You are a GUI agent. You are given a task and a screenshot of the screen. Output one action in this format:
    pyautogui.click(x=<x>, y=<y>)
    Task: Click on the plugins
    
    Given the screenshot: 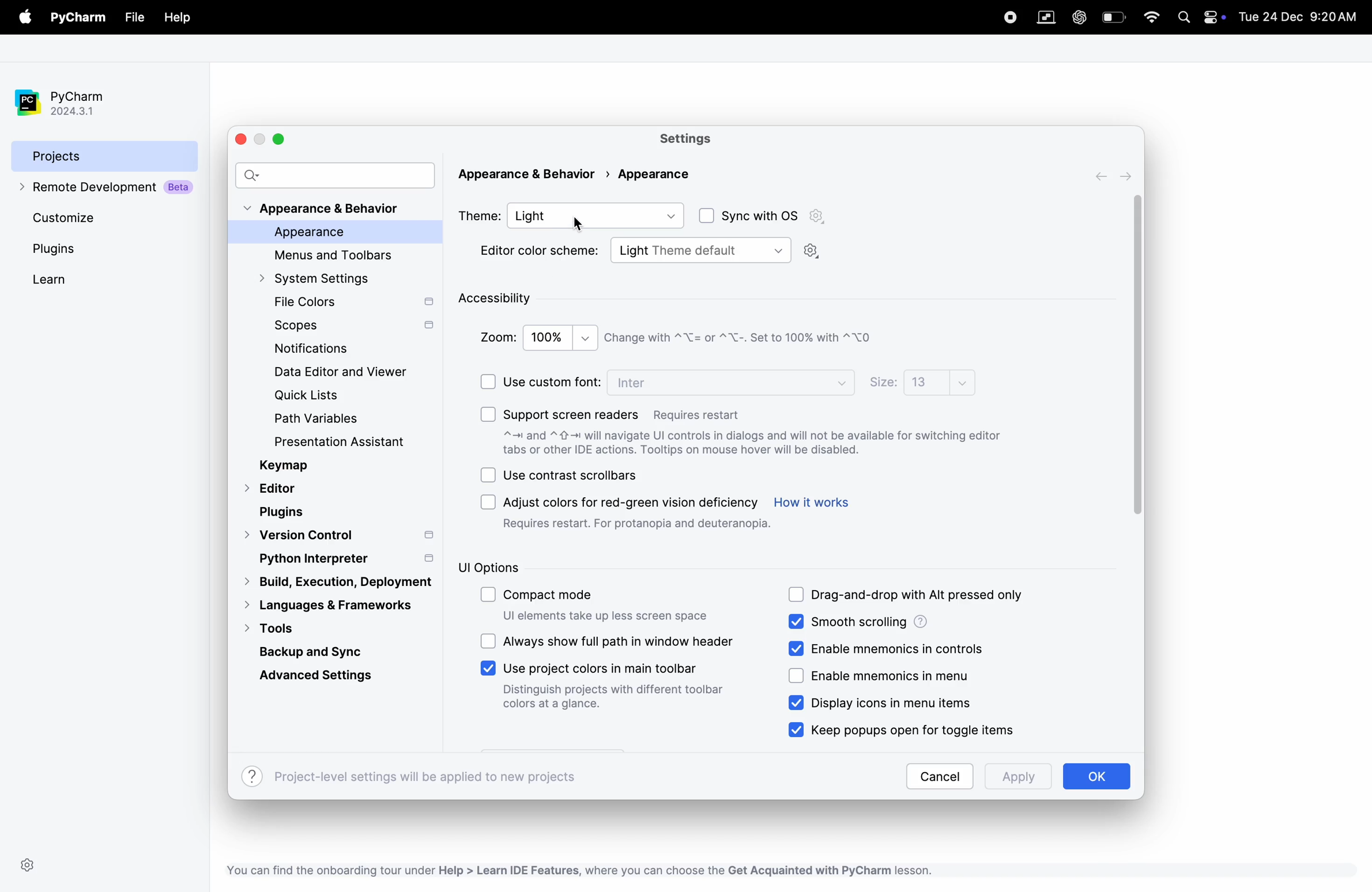 What is the action you would take?
    pyautogui.click(x=286, y=512)
    